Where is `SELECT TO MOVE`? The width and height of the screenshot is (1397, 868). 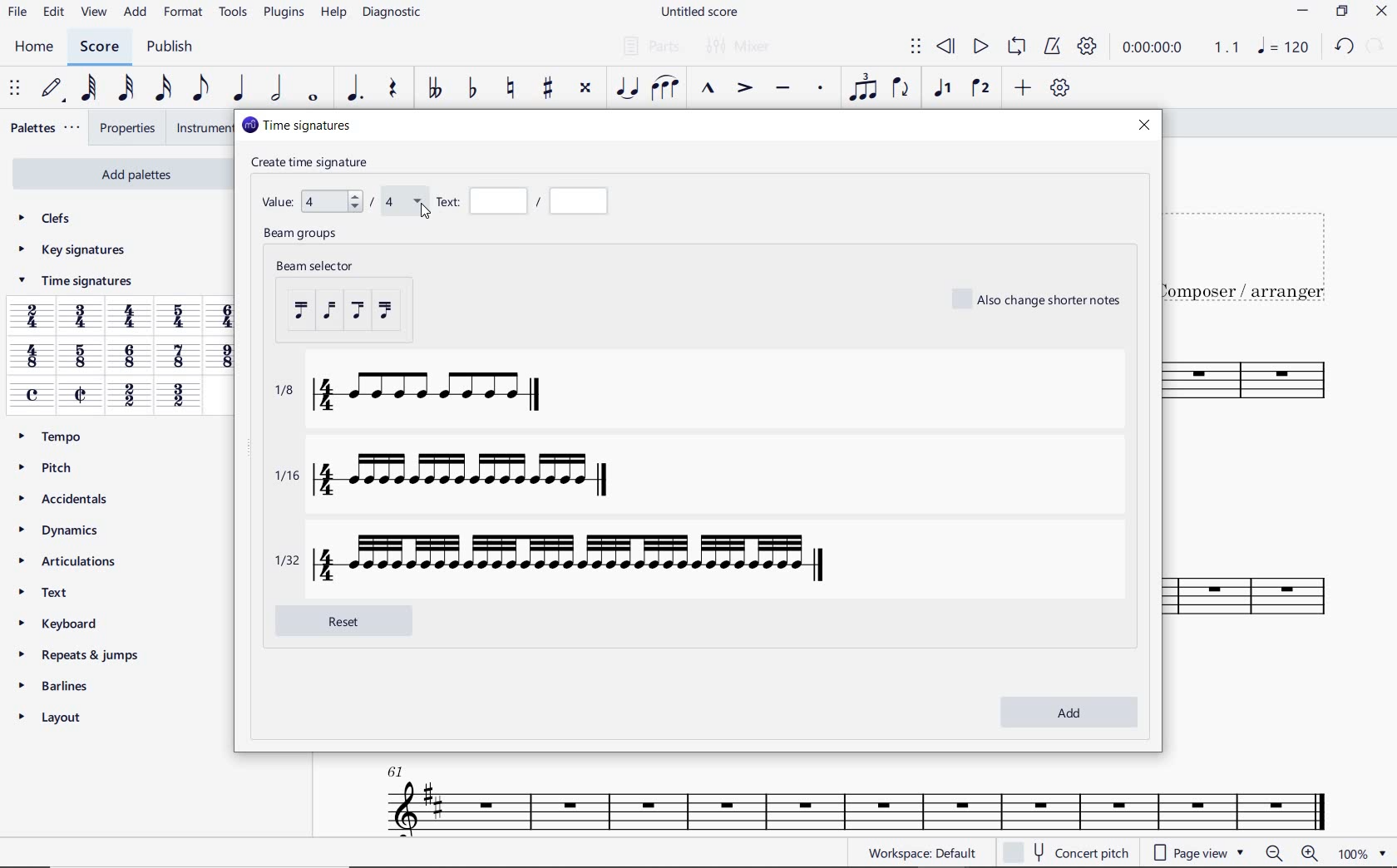 SELECT TO MOVE is located at coordinates (916, 47).